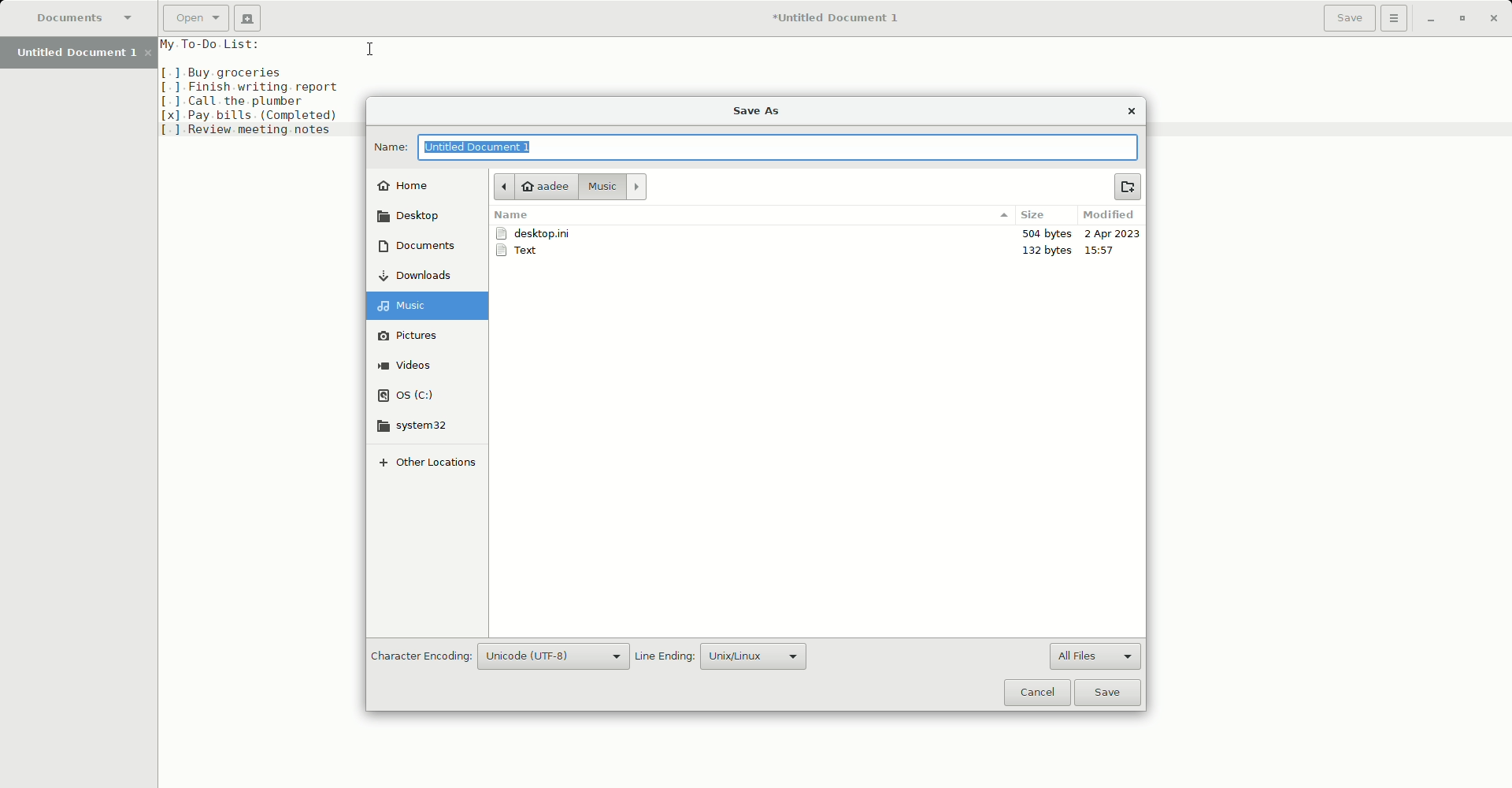 The image size is (1512, 788). What do you see at coordinates (557, 656) in the screenshot?
I see `Unicode` at bounding box center [557, 656].